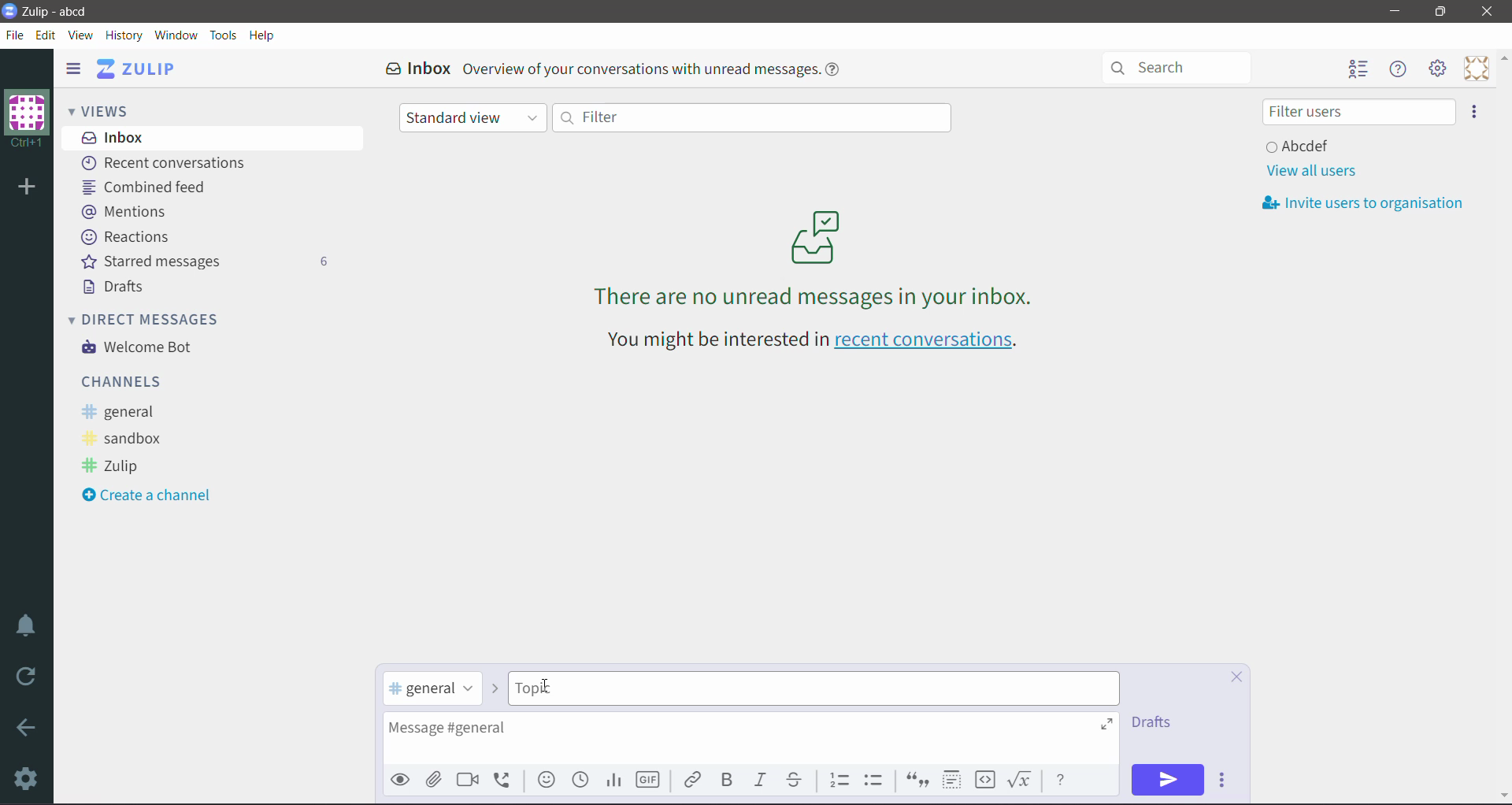 Image resolution: width=1512 pixels, height=805 pixels. What do you see at coordinates (507, 779) in the screenshot?
I see `Add voice call` at bounding box center [507, 779].